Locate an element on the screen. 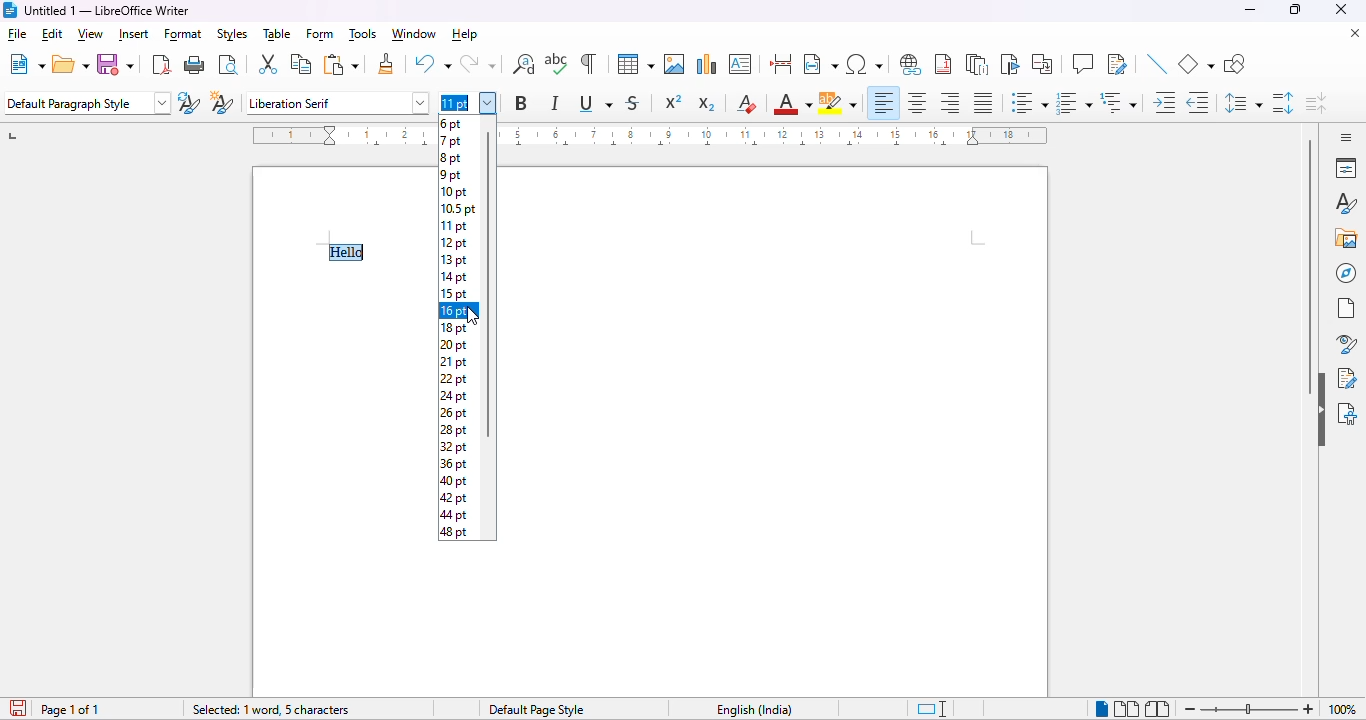  insert endnote is located at coordinates (978, 66).